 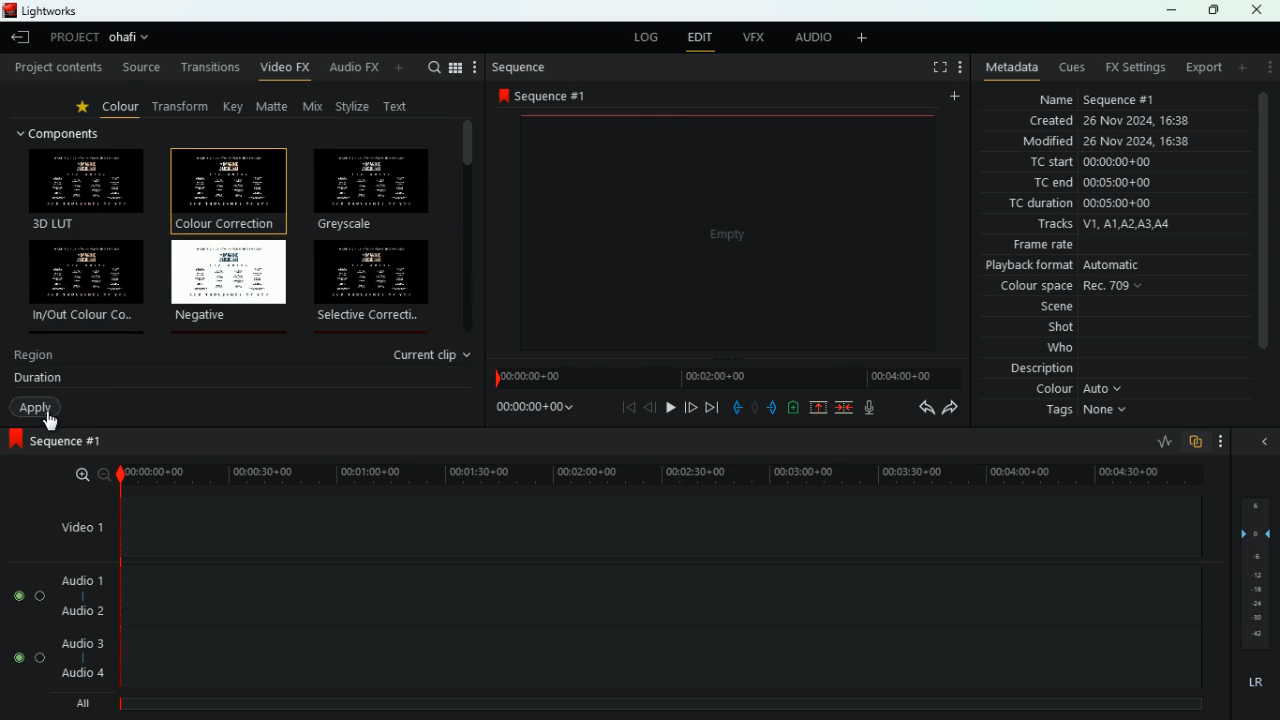 What do you see at coordinates (36, 358) in the screenshot?
I see `region` at bounding box center [36, 358].